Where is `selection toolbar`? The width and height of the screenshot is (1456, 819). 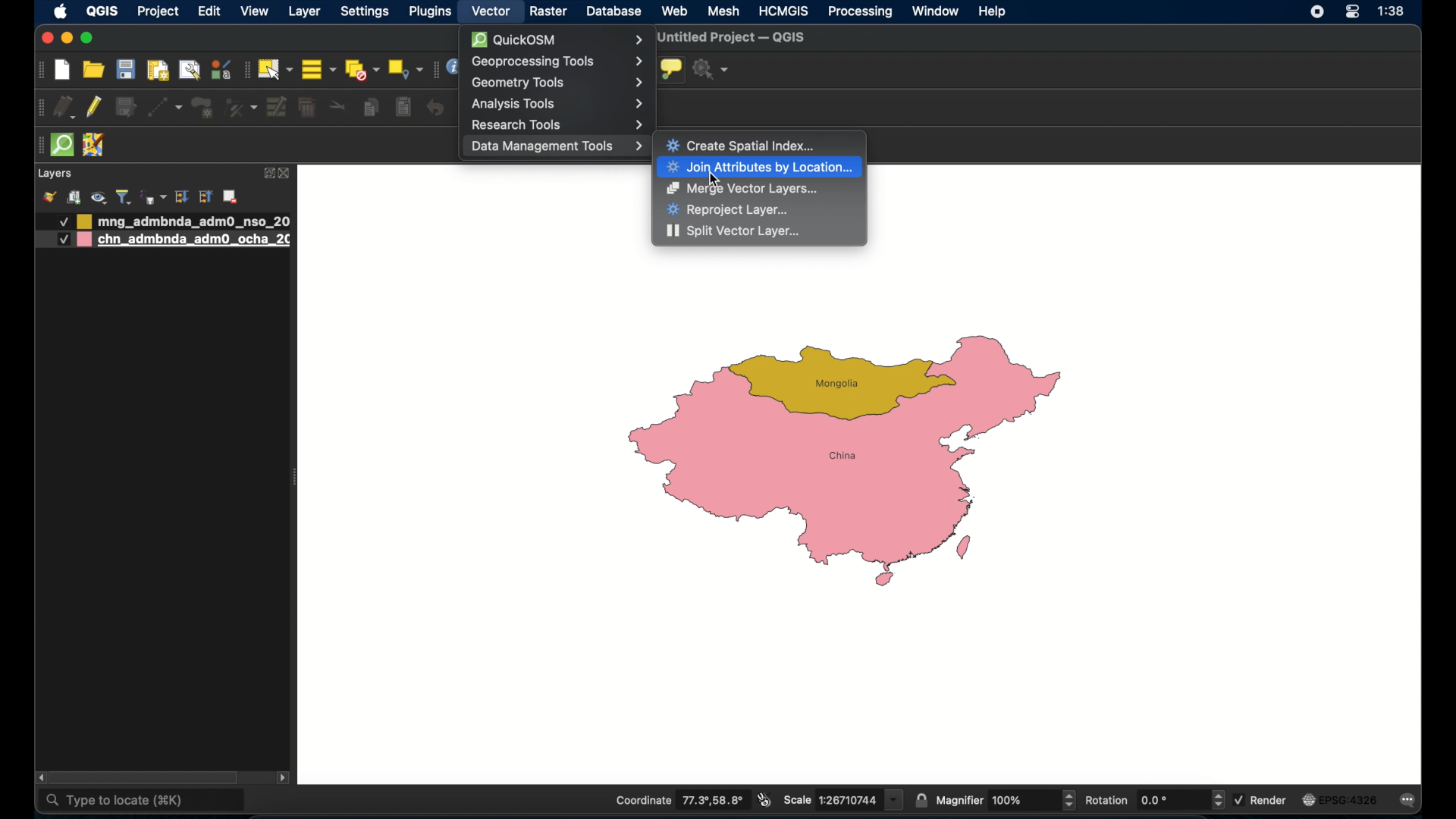 selection toolbar is located at coordinates (243, 70).